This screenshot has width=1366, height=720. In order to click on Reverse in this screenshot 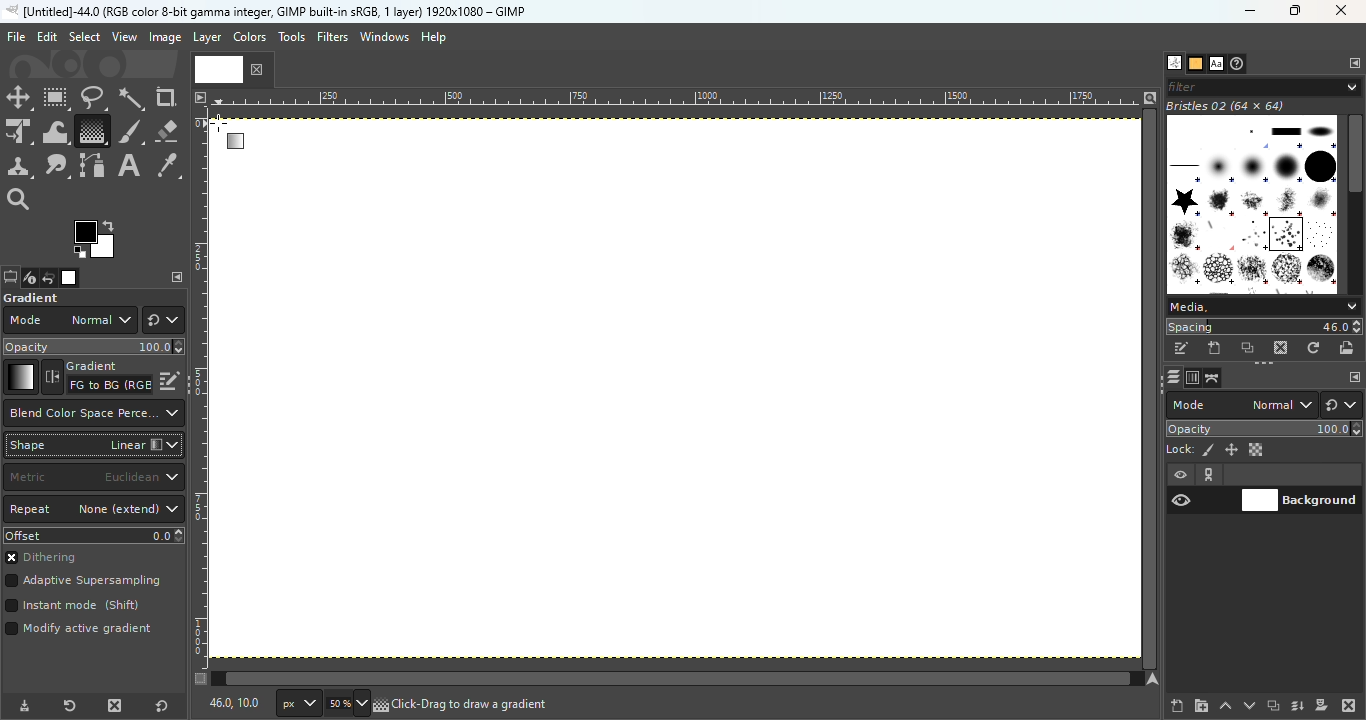, I will do `click(97, 377)`.